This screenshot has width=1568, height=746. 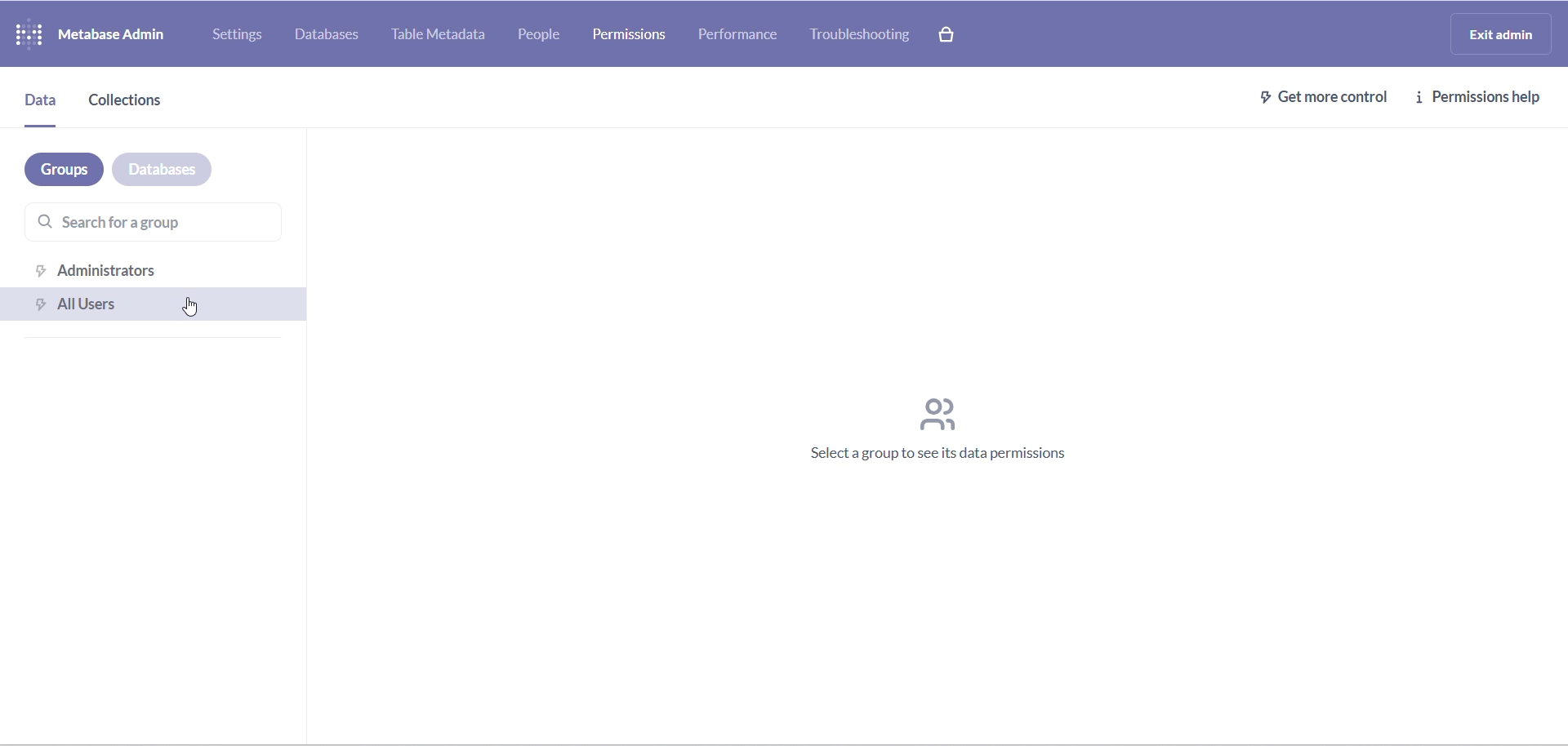 What do you see at coordinates (957, 34) in the screenshot?
I see `paid version` at bounding box center [957, 34].